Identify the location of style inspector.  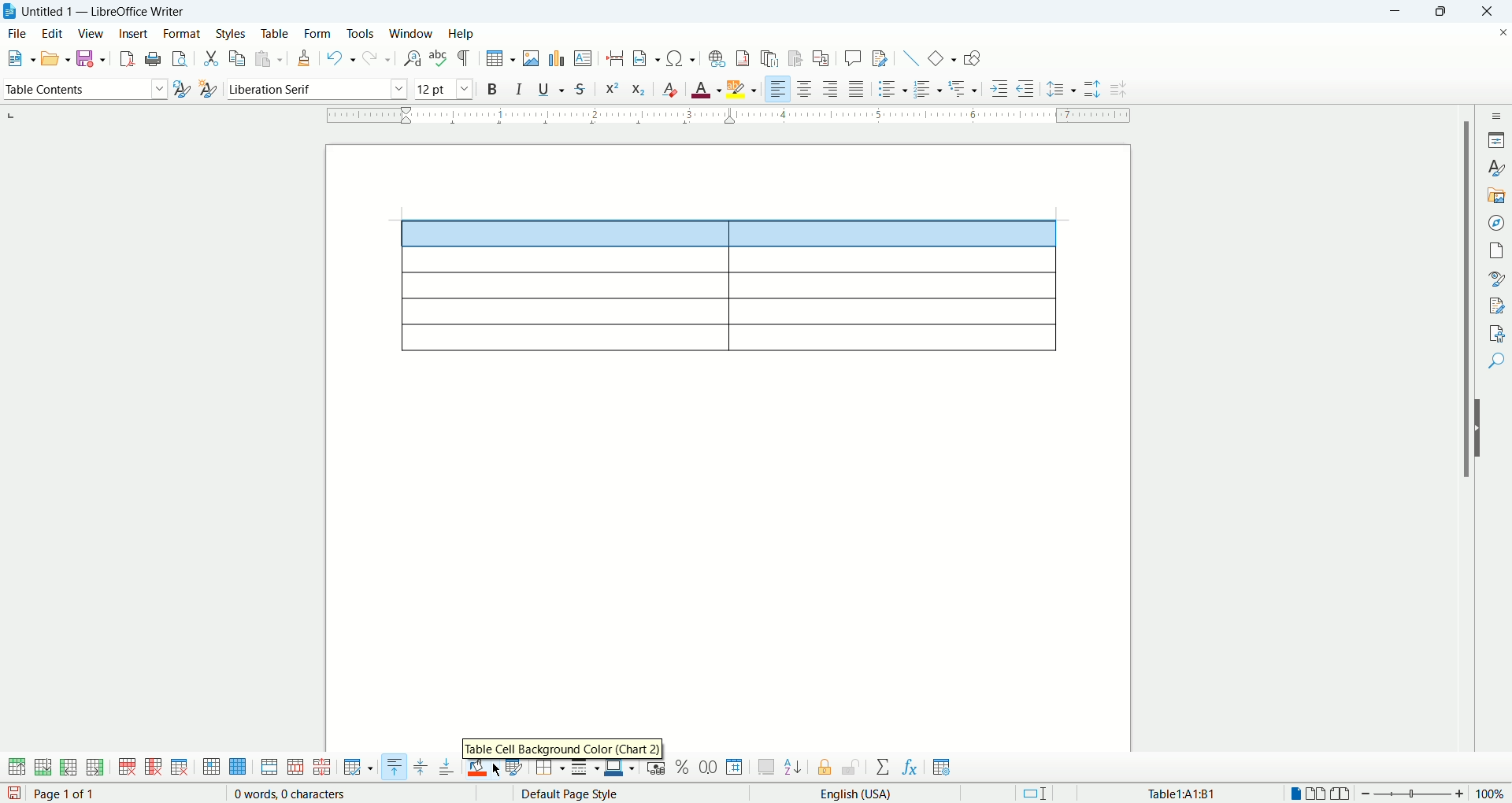
(1496, 278).